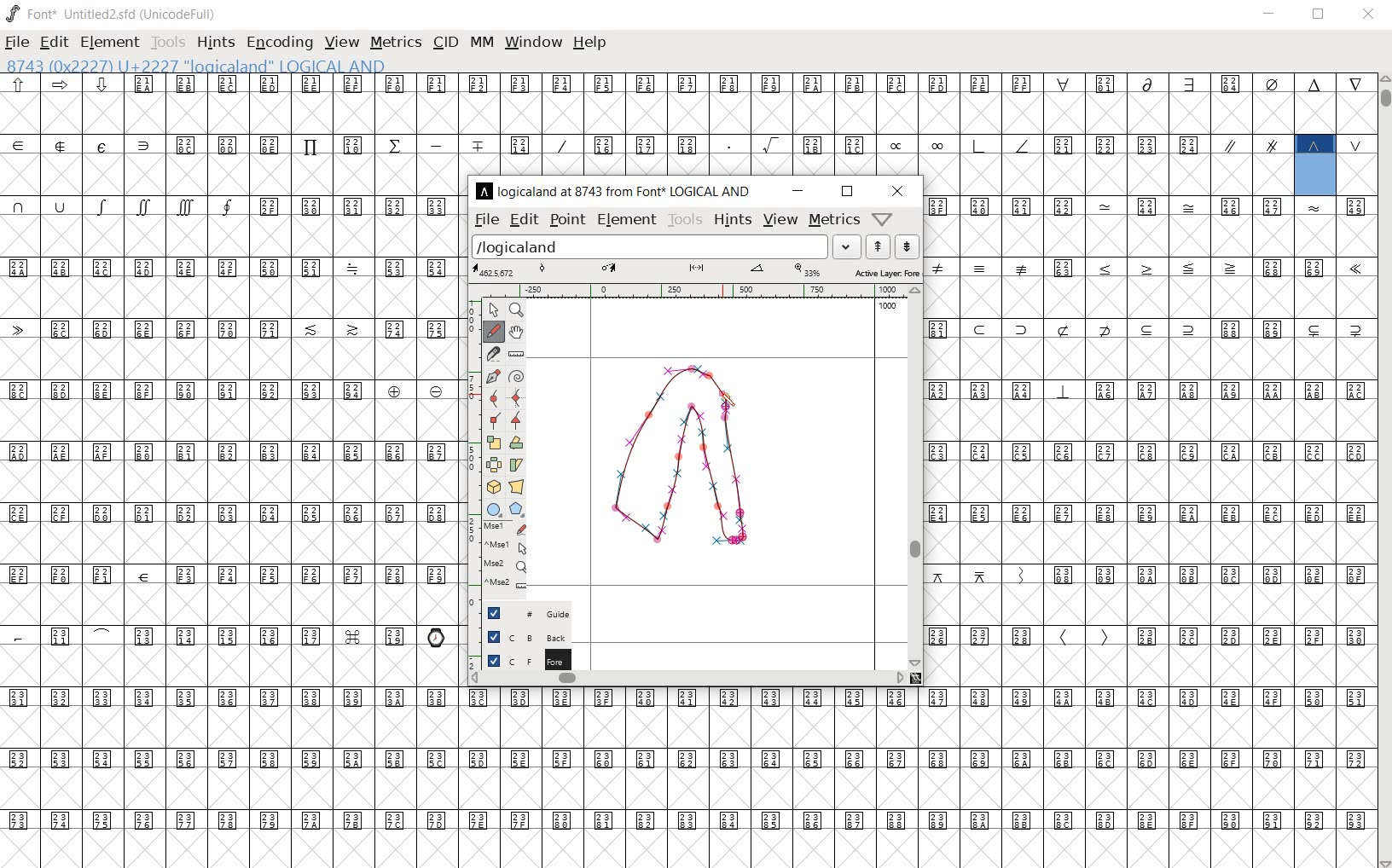  Describe the element at coordinates (493, 488) in the screenshot. I see `rotate the selection in 3D and project back to plane` at that location.